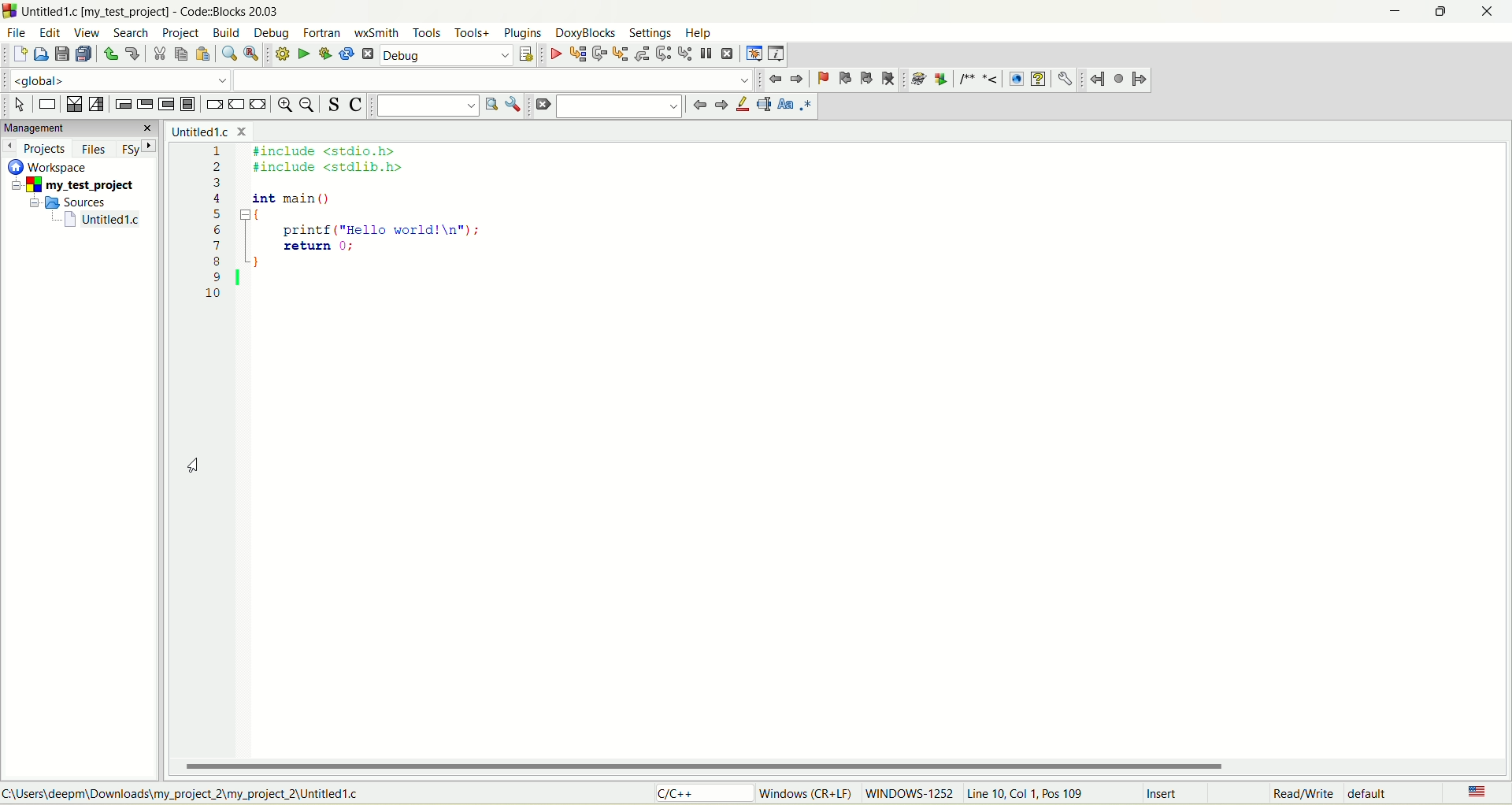 Image resolution: width=1512 pixels, height=805 pixels. What do you see at coordinates (72, 106) in the screenshot?
I see `decision` at bounding box center [72, 106].